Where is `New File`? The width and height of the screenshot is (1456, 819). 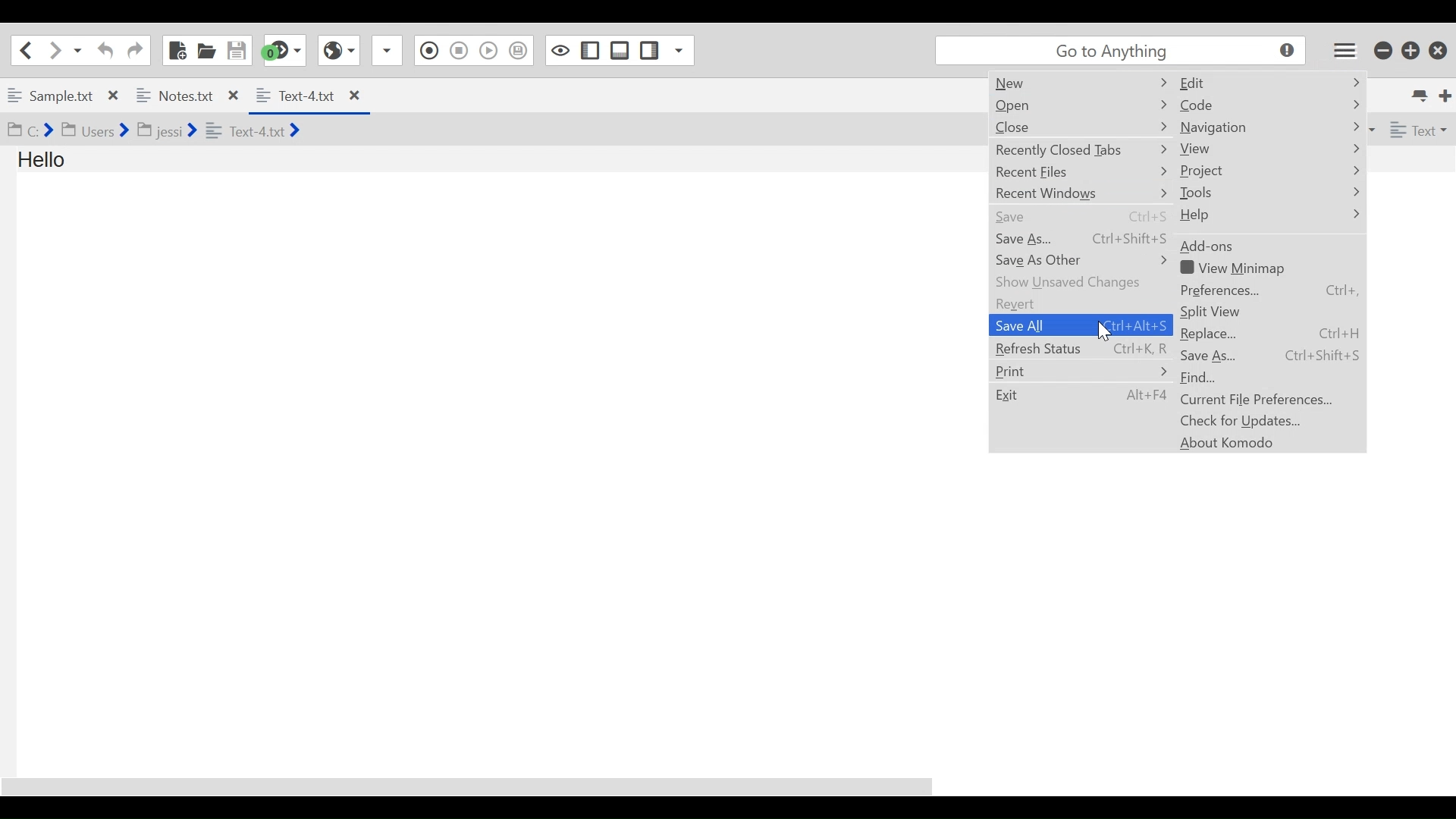 New File is located at coordinates (178, 50).